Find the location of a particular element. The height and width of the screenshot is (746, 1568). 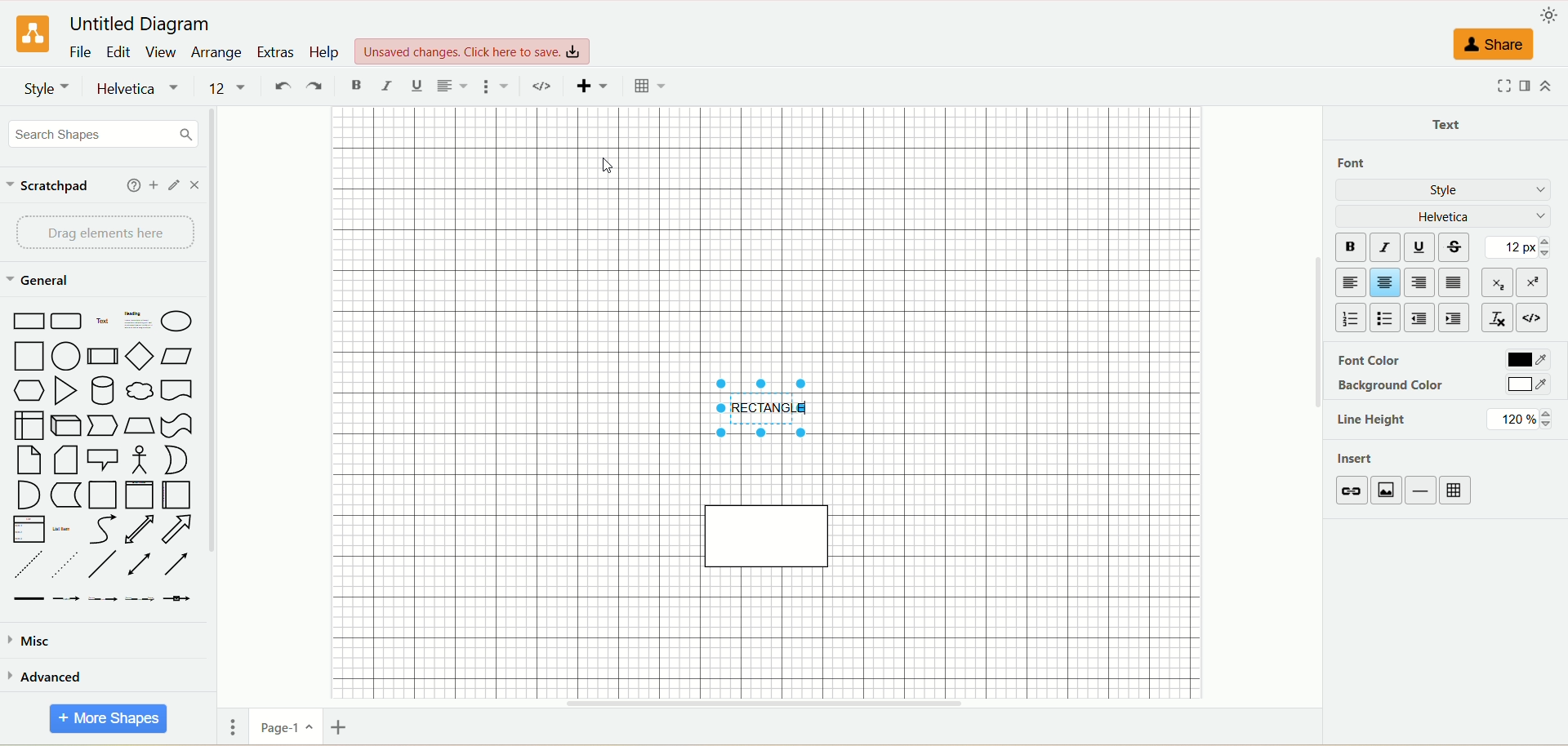

centre is located at coordinates (1388, 282).